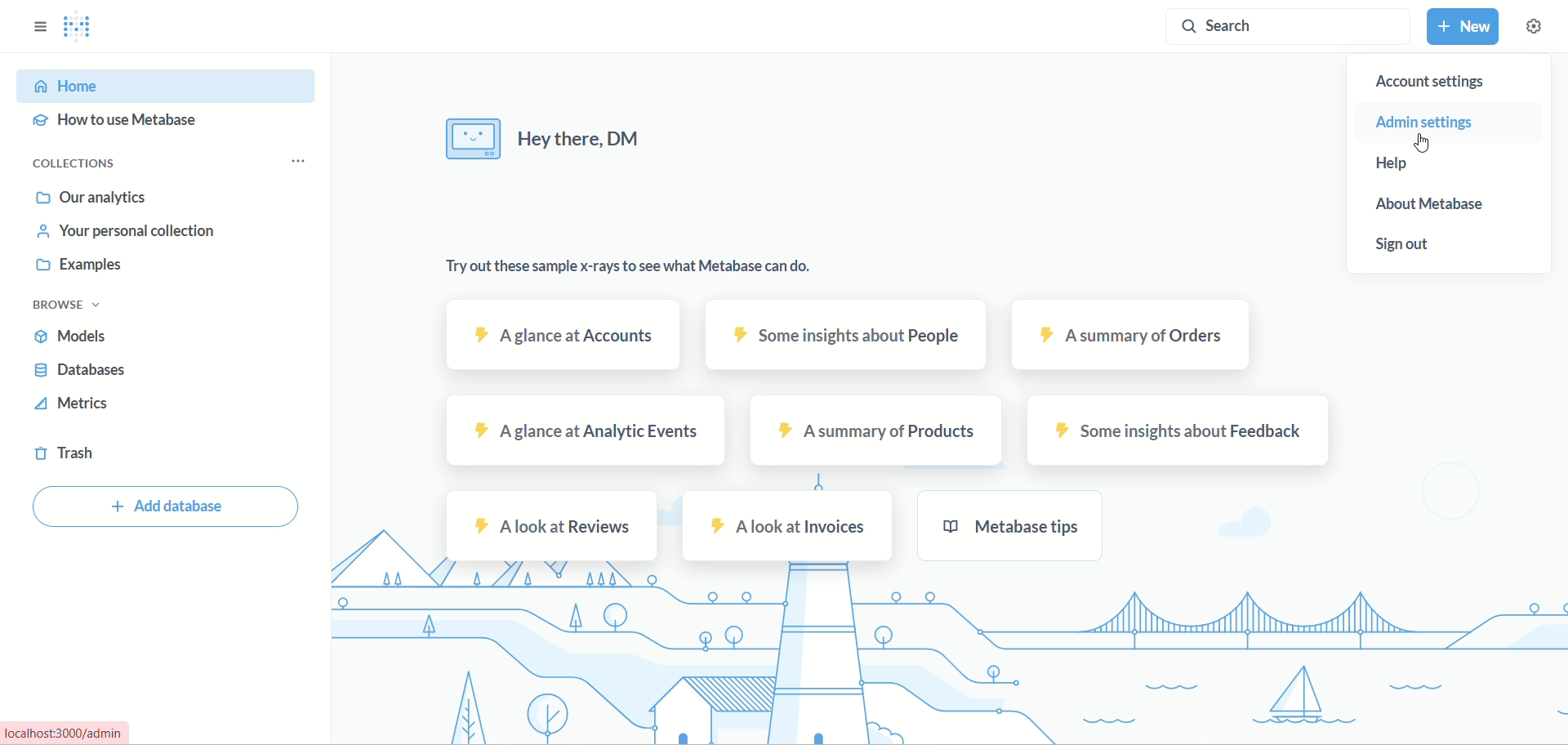 This screenshot has width=1568, height=745. What do you see at coordinates (297, 162) in the screenshot?
I see `options` at bounding box center [297, 162].